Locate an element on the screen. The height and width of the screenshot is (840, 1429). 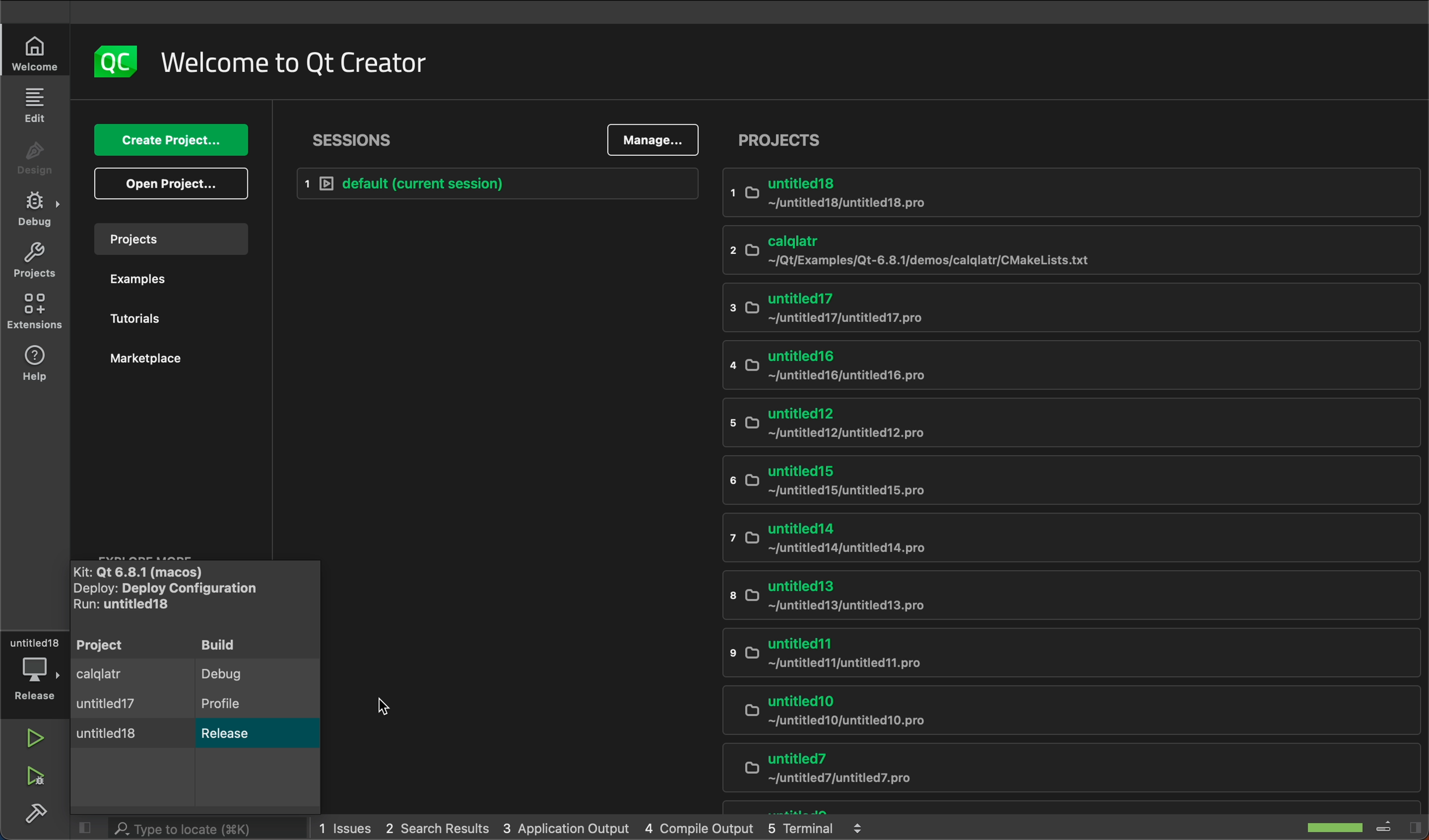
untitled17 is located at coordinates (108, 705).